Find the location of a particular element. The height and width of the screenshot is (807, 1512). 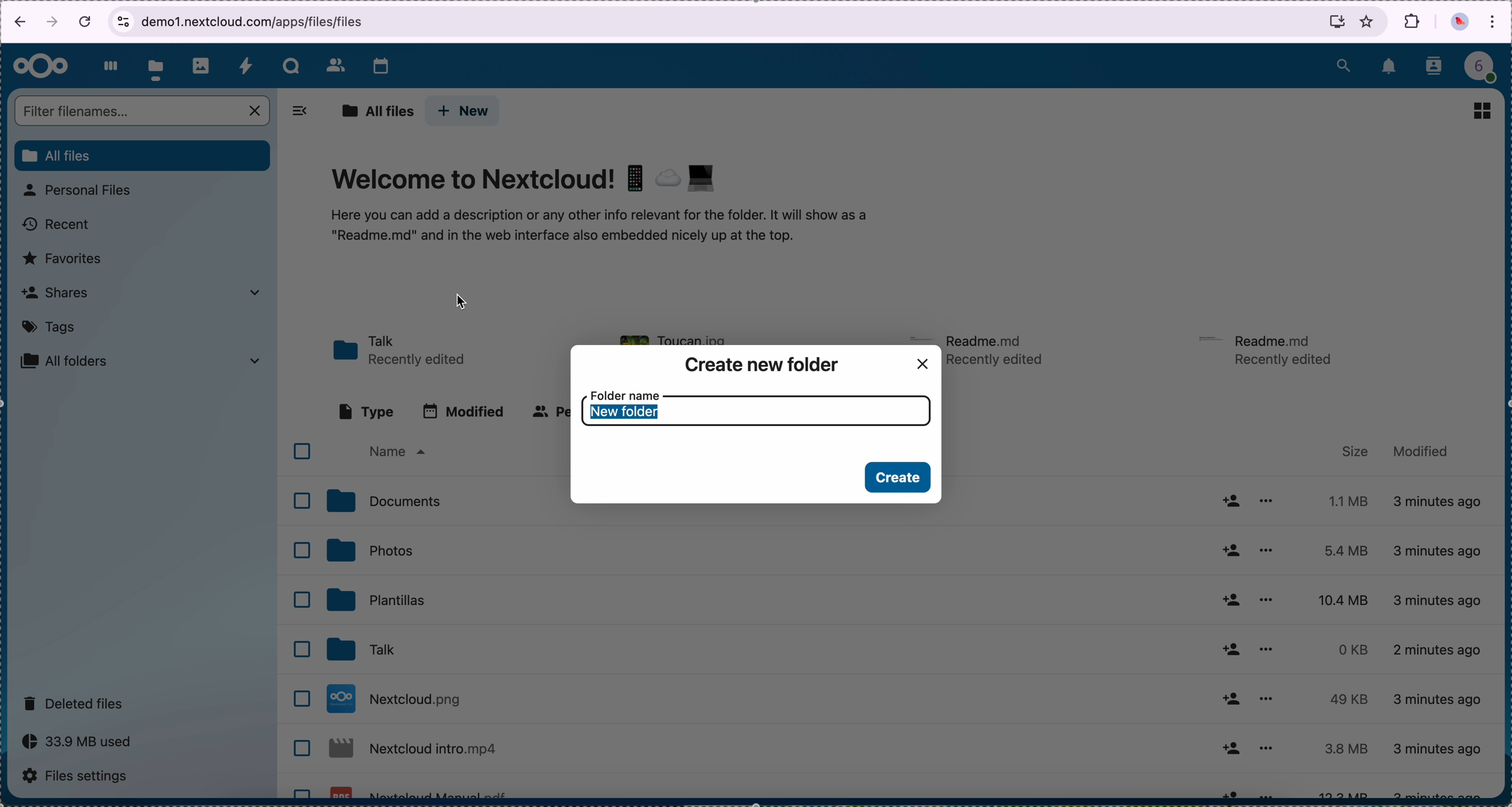

talk is located at coordinates (291, 66).